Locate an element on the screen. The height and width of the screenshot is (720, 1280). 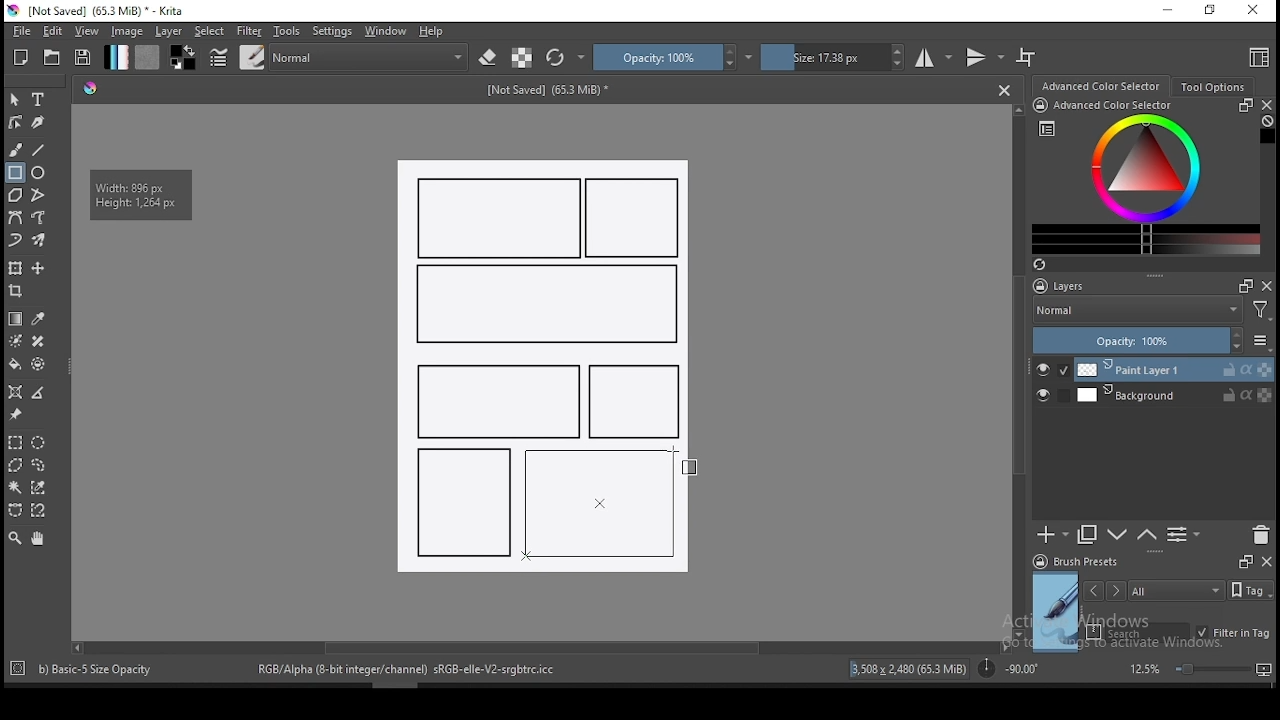
edit shapes tool is located at coordinates (15, 121).